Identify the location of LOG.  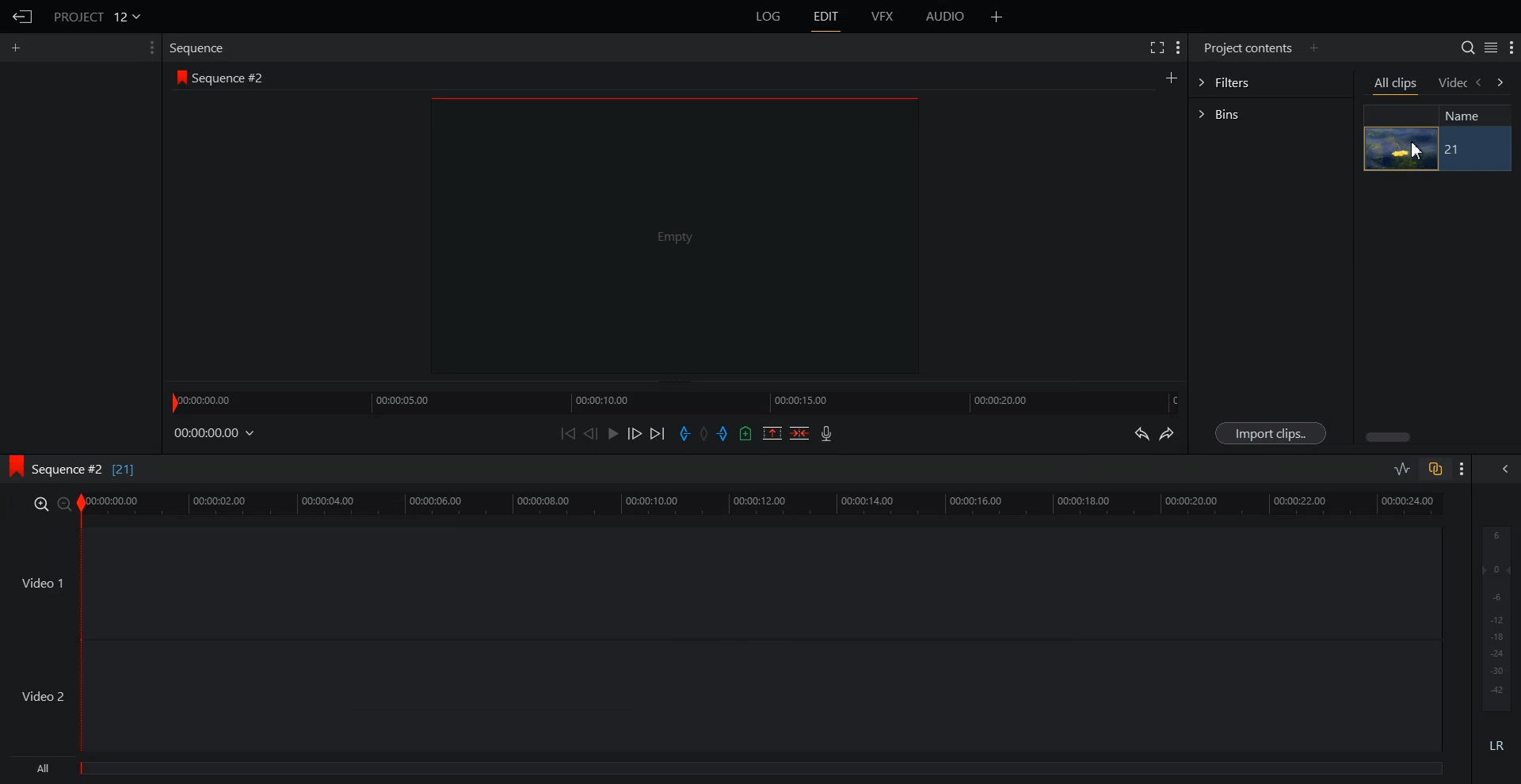
(769, 17).